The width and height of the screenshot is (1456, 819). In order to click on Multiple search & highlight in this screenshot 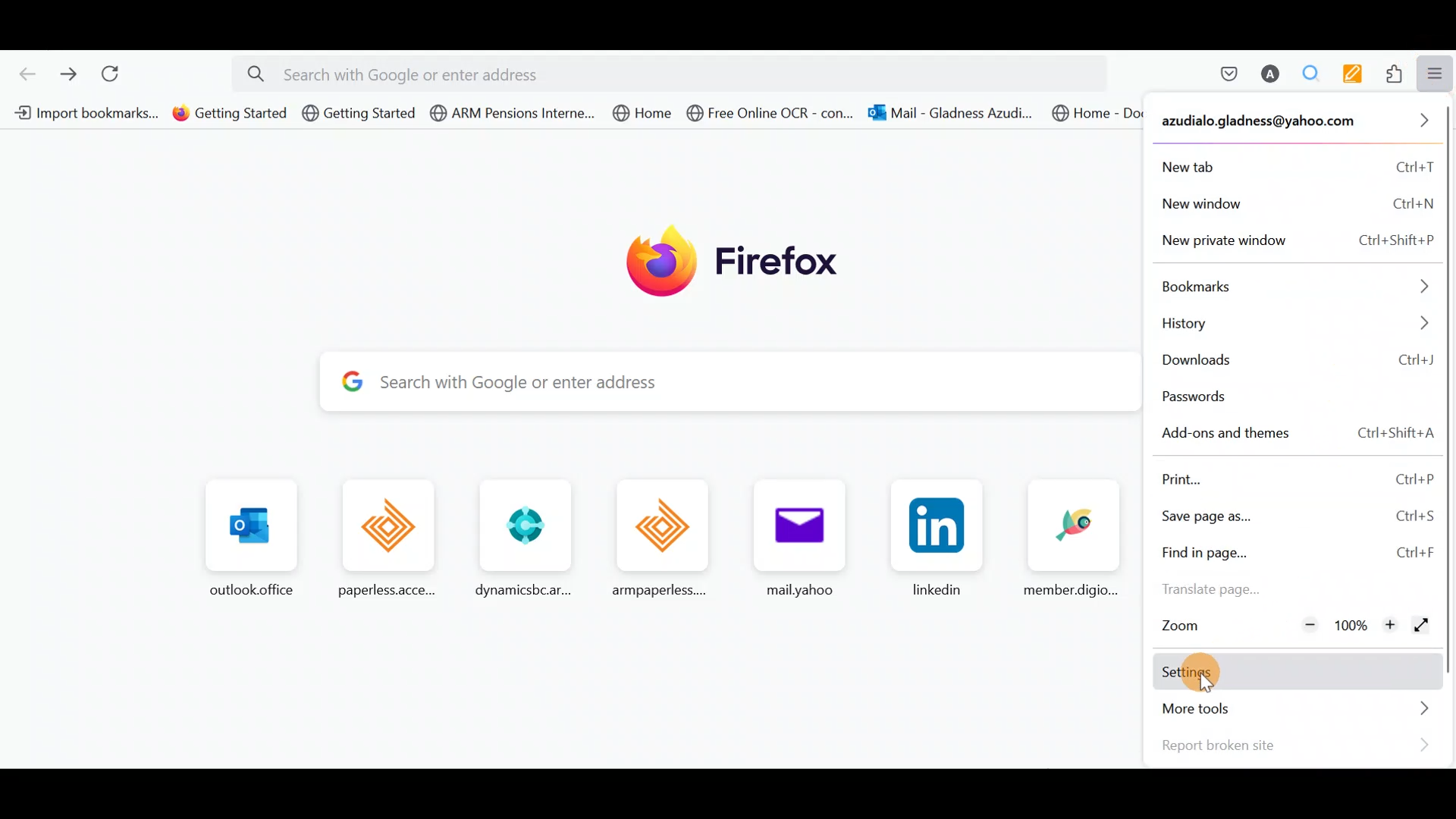, I will do `click(1305, 75)`.